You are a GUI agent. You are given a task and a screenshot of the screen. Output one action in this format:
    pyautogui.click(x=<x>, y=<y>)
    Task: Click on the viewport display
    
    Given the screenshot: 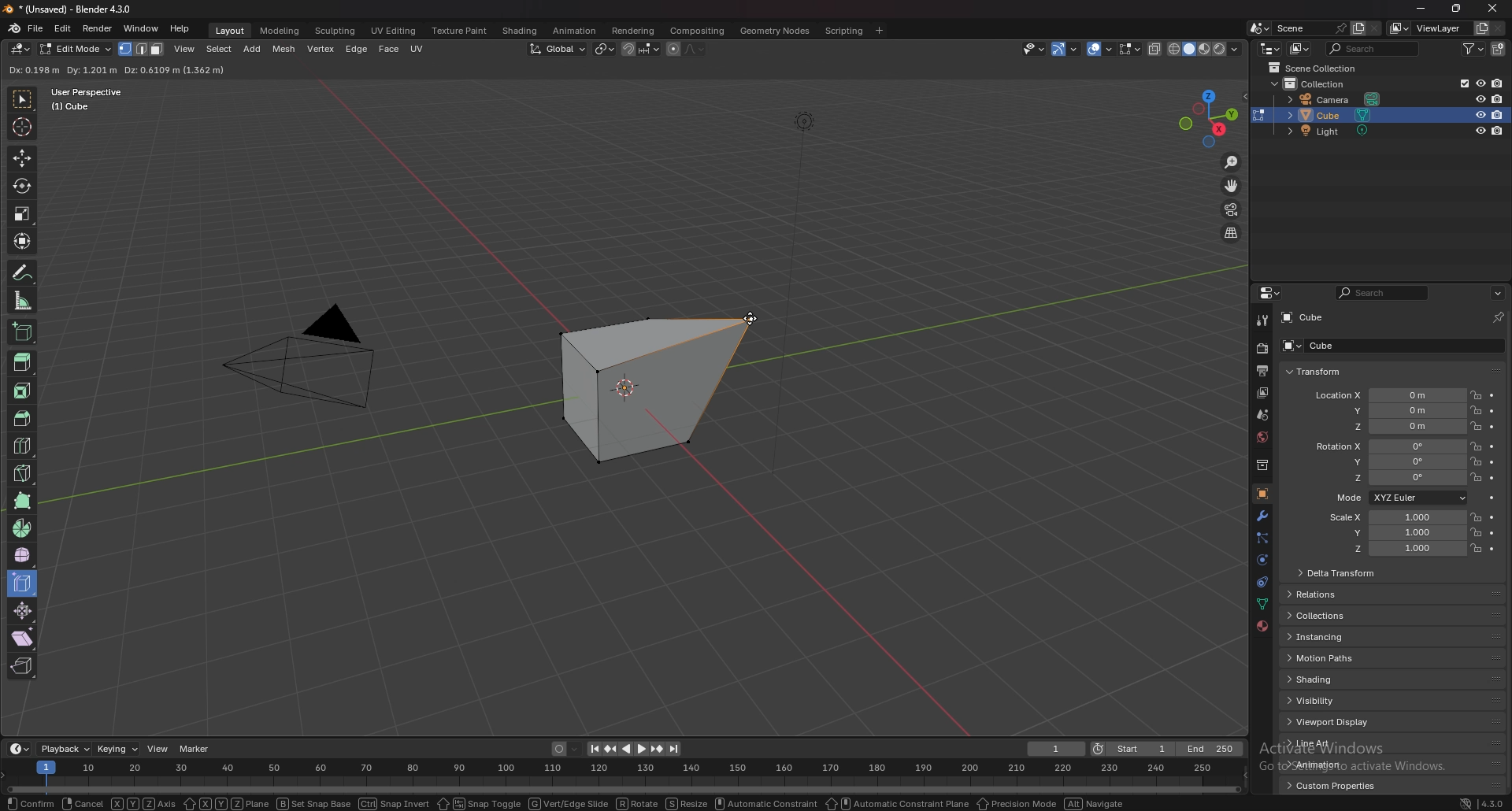 What is the action you would take?
    pyautogui.click(x=1336, y=722)
    